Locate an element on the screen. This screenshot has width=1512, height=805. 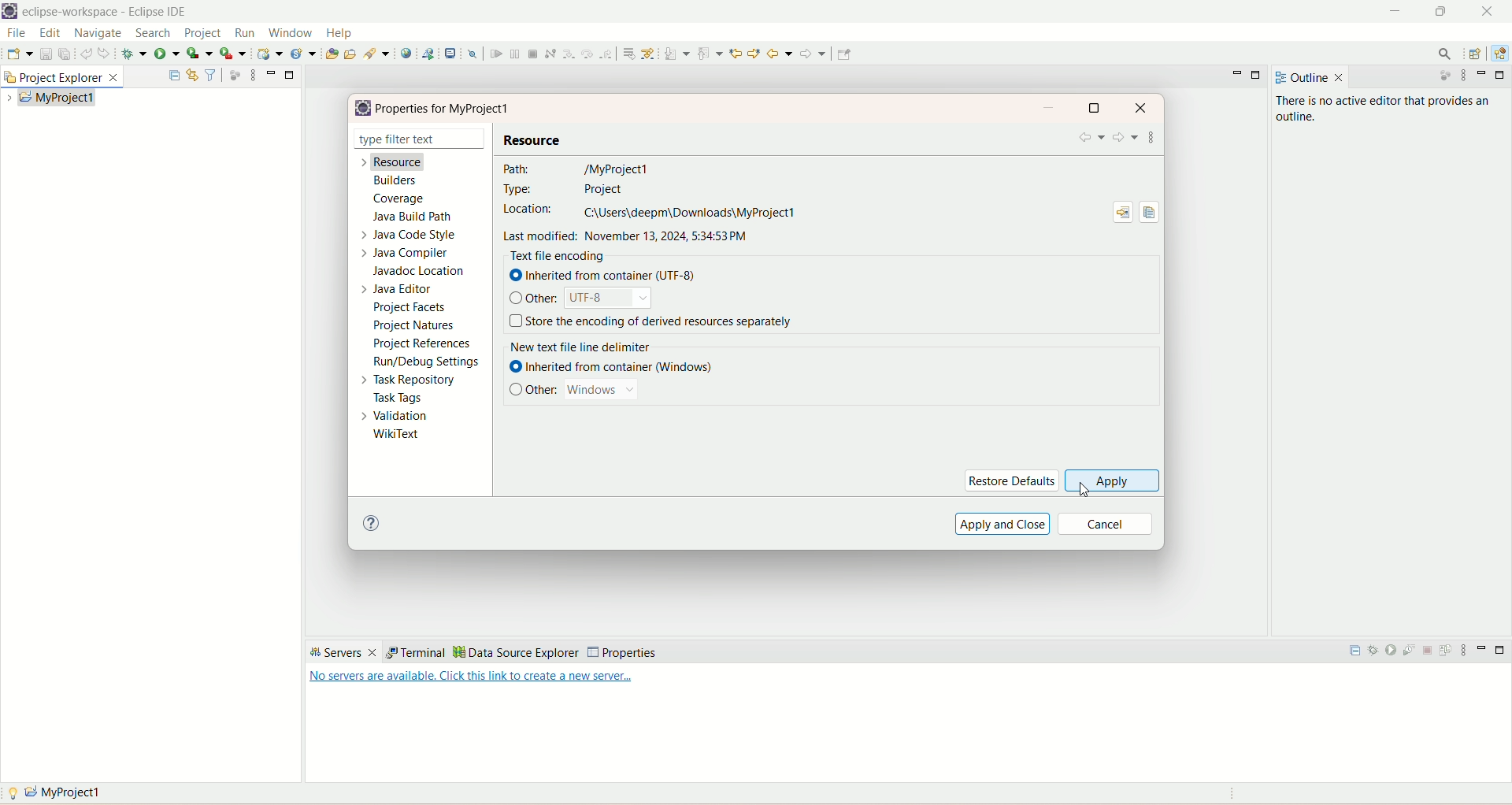
search is located at coordinates (1443, 53).